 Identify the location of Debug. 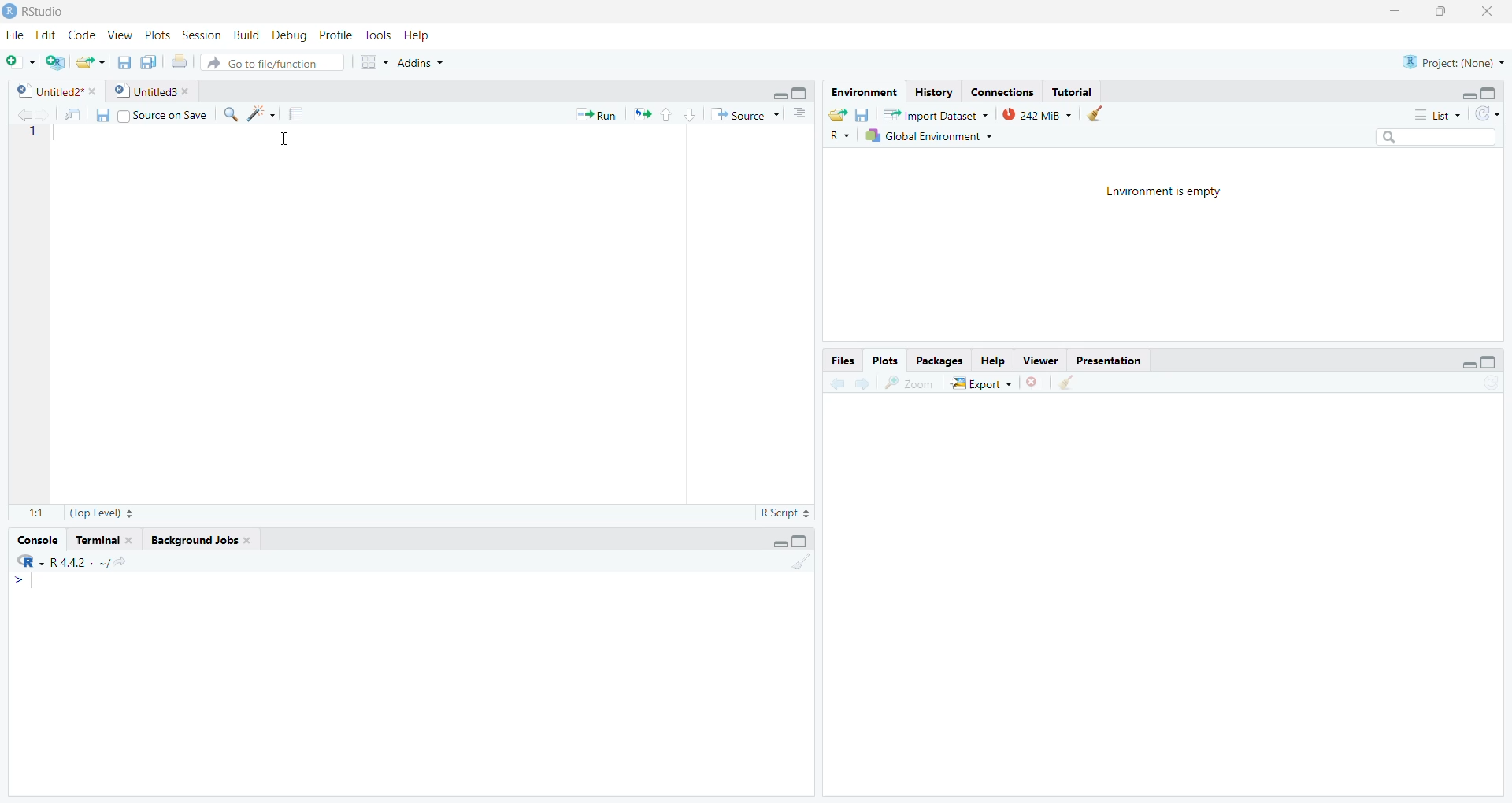
(291, 35).